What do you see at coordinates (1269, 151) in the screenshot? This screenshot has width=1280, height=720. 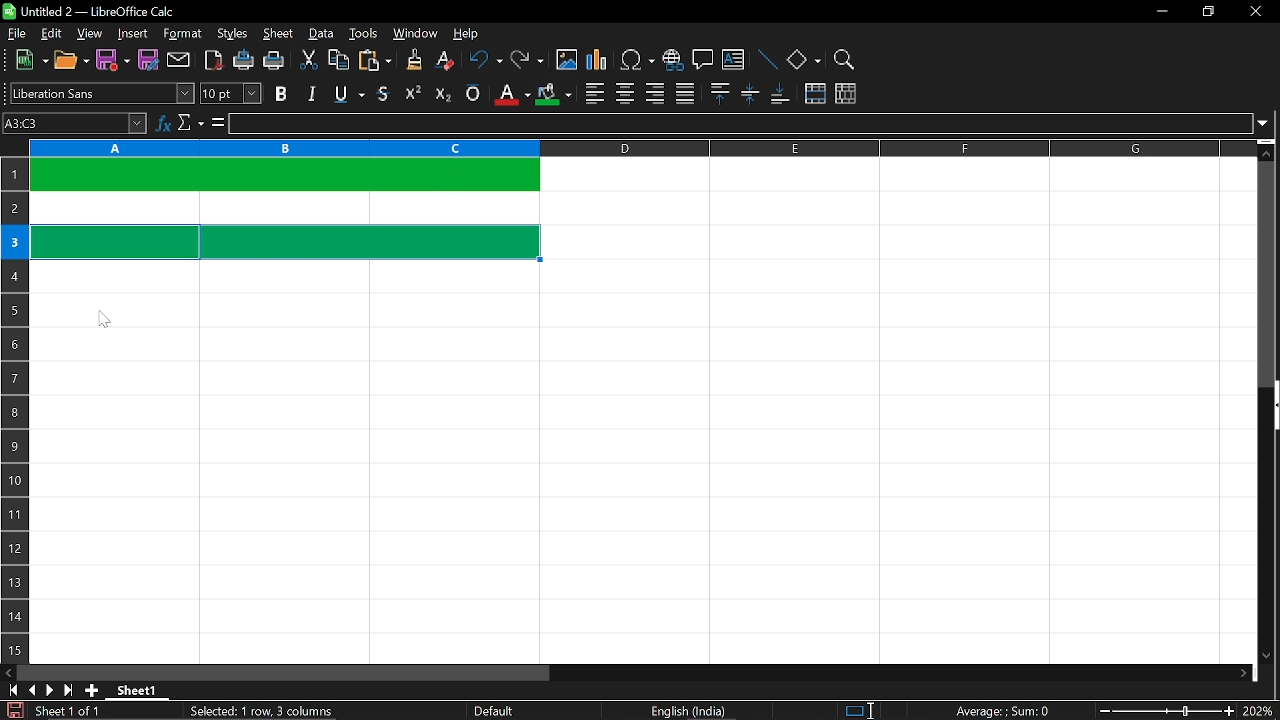 I see `move up` at bounding box center [1269, 151].